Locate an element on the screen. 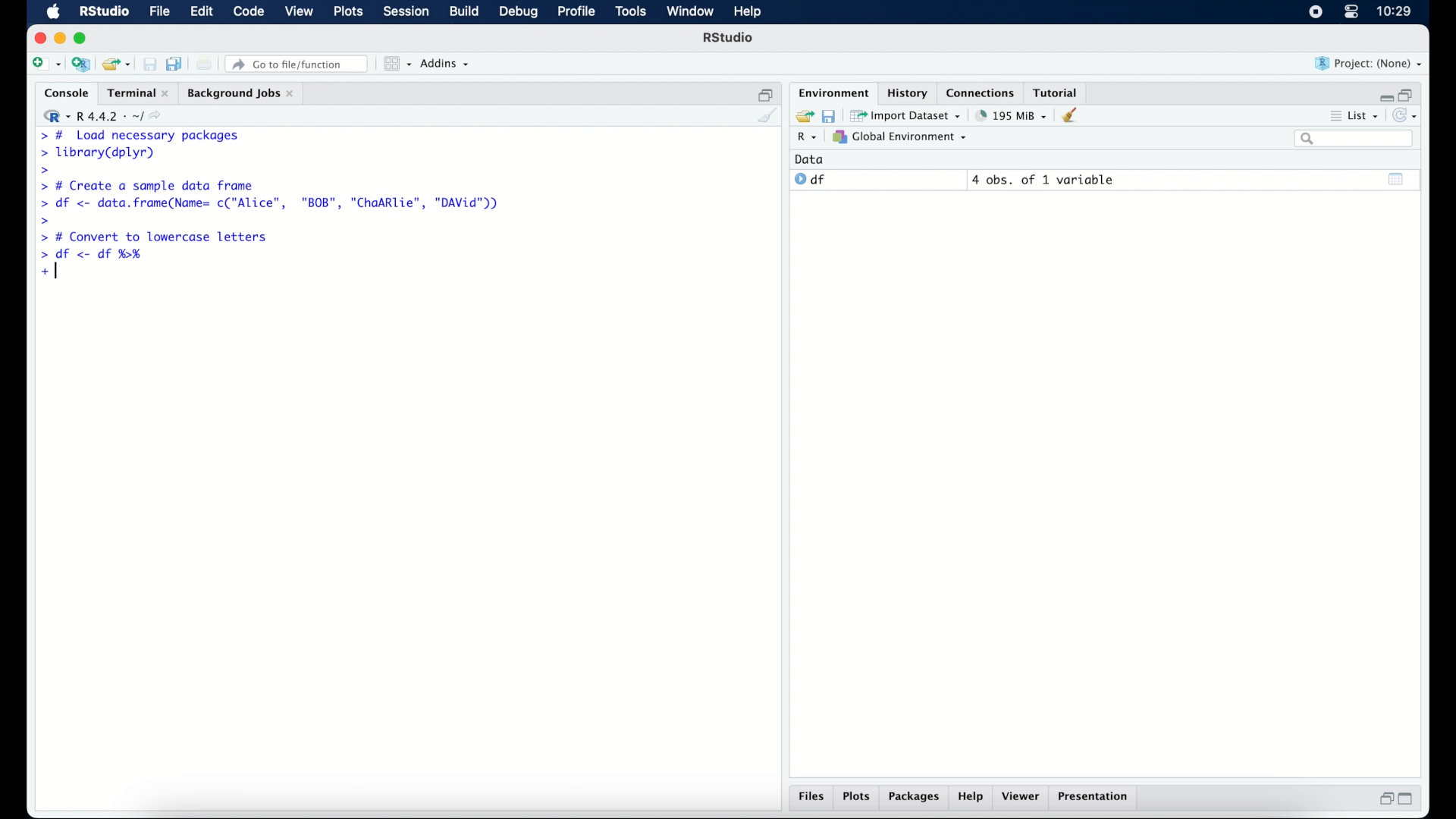  save all documents  is located at coordinates (176, 63).